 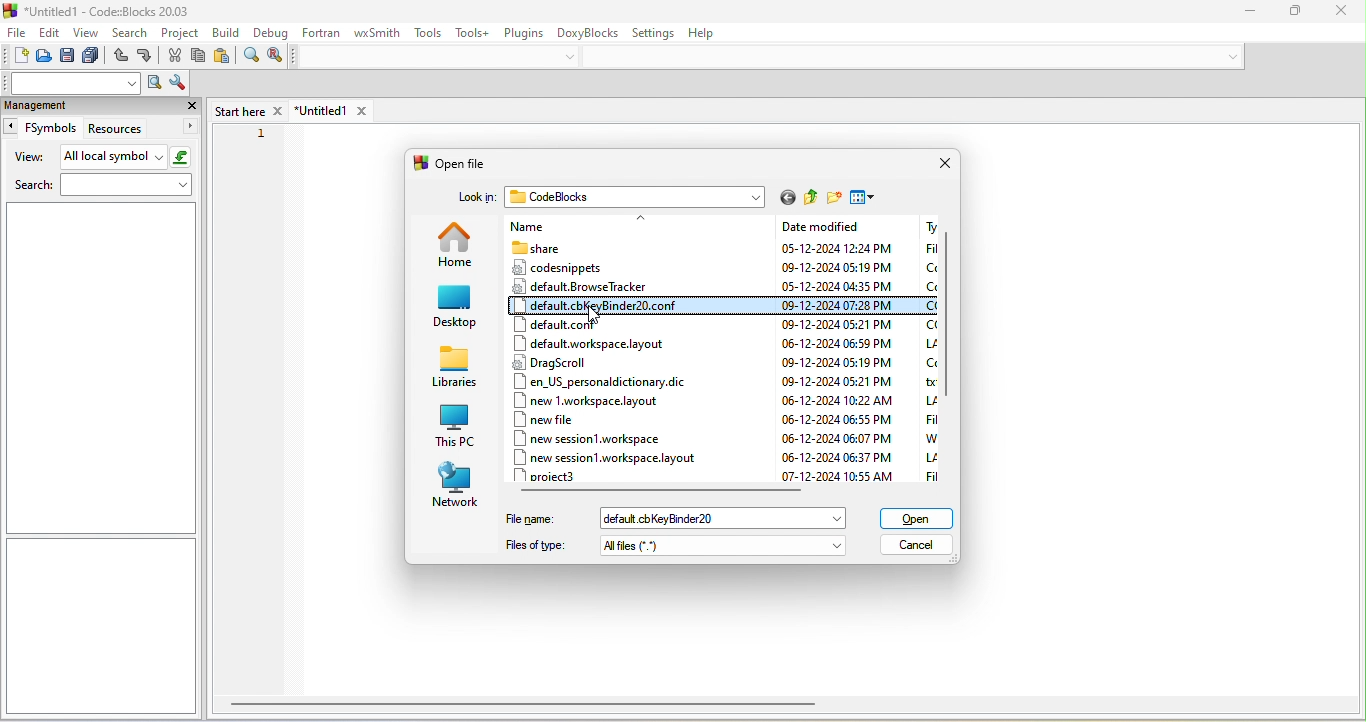 What do you see at coordinates (127, 157) in the screenshot?
I see `all local symbol` at bounding box center [127, 157].